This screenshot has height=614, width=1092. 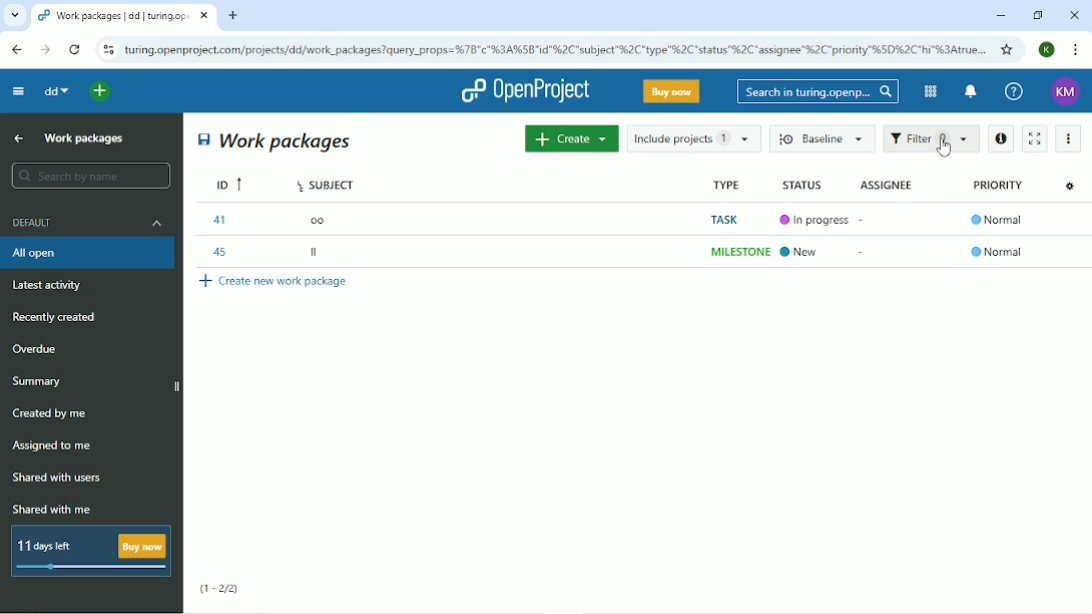 I want to click on Site address, so click(x=555, y=48).